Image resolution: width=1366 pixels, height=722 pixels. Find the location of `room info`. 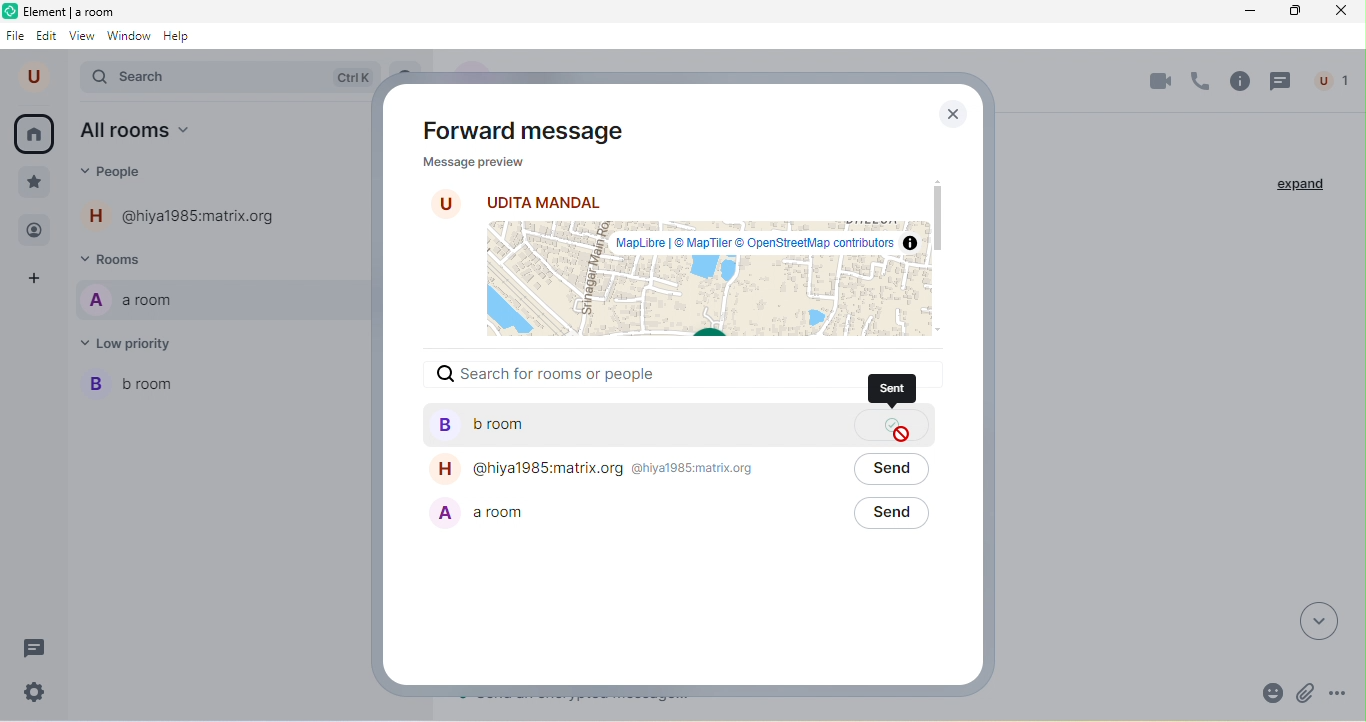

room info is located at coordinates (1240, 80).